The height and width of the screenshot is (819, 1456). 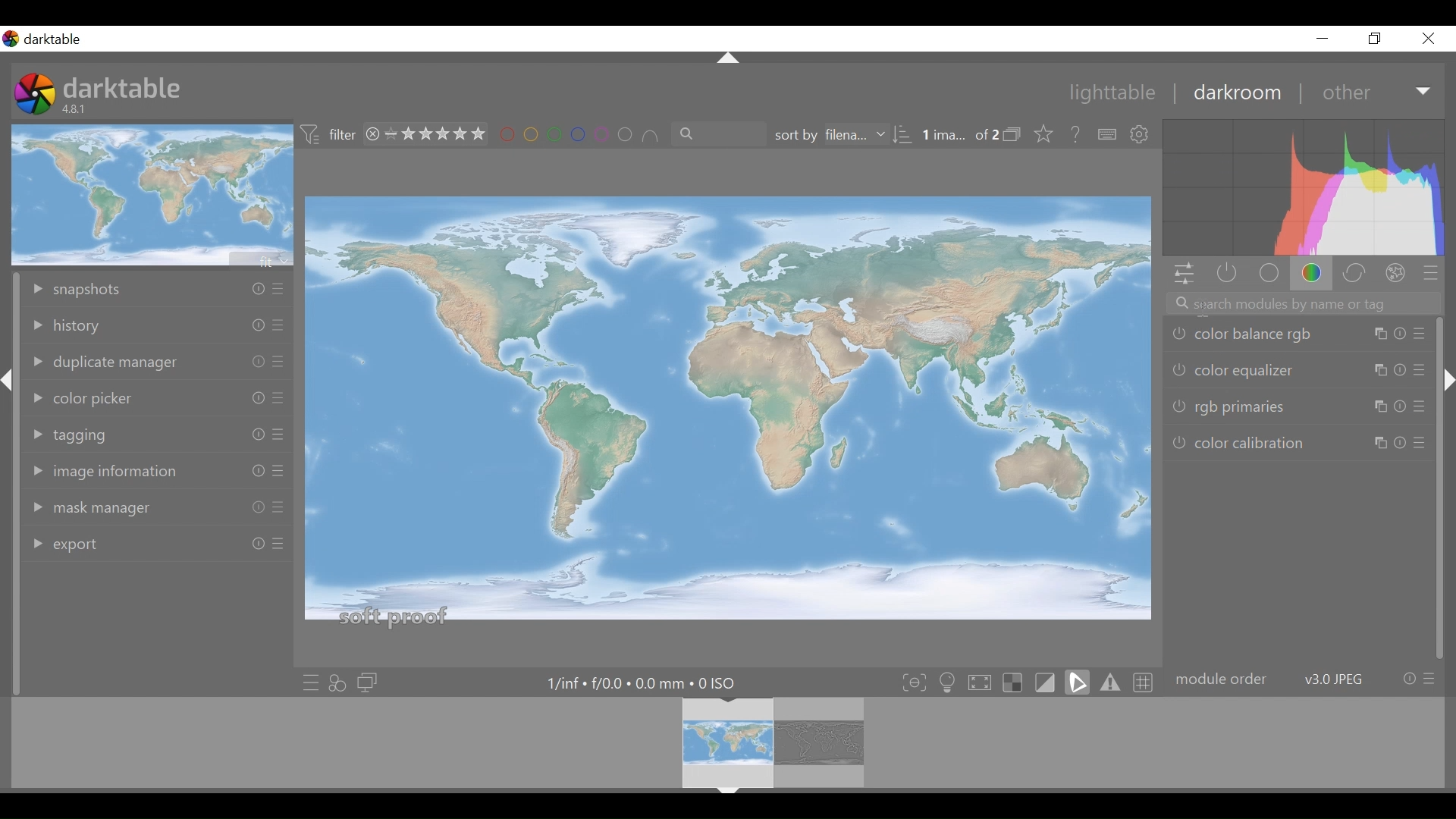 What do you see at coordinates (338, 683) in the screenshot?
I see `quick access for applying any styles` at bounding box center [338, 683].